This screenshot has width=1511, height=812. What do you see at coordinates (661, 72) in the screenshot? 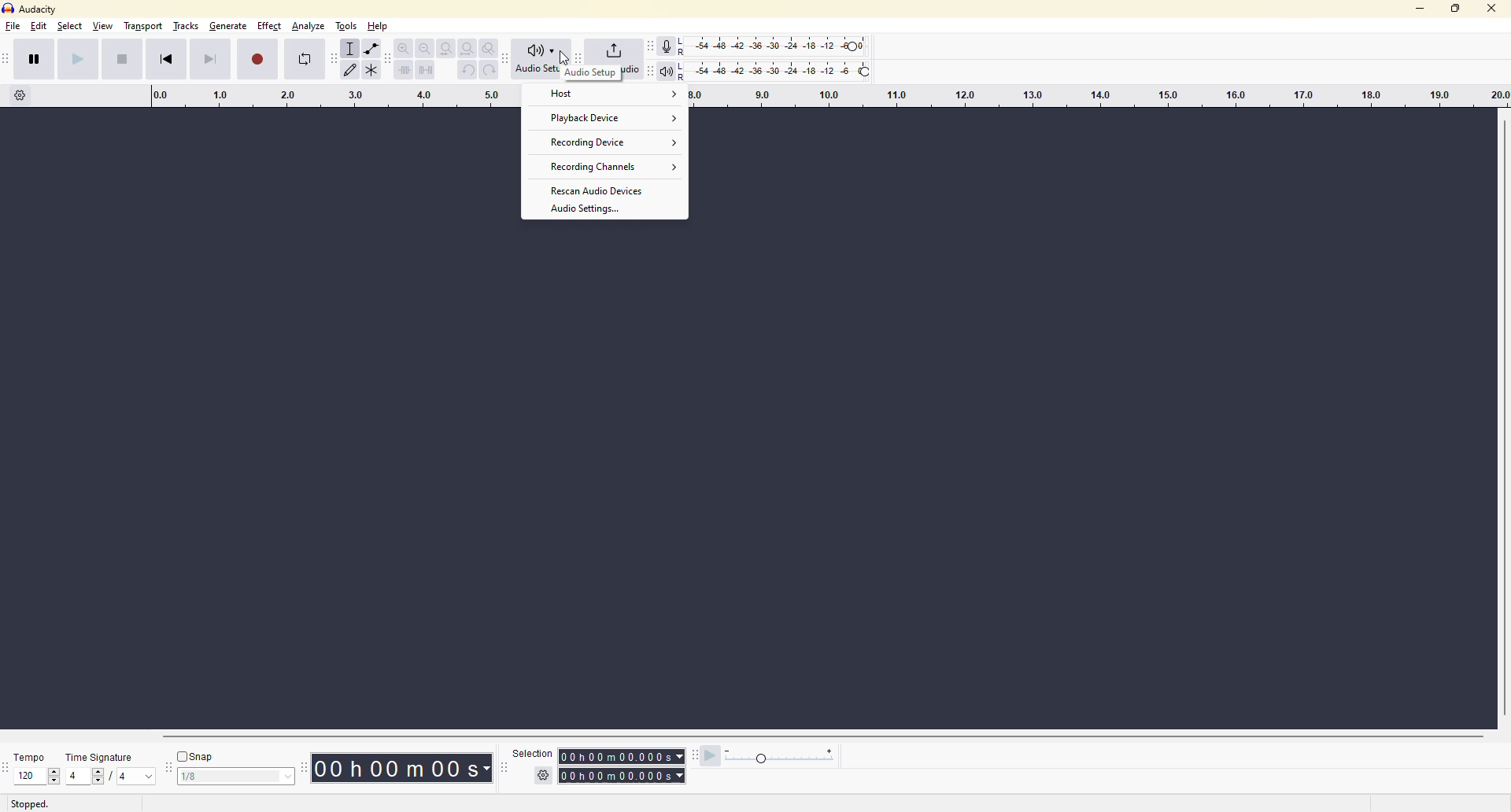
I see `playback meter` at bounding box center [661, 72].